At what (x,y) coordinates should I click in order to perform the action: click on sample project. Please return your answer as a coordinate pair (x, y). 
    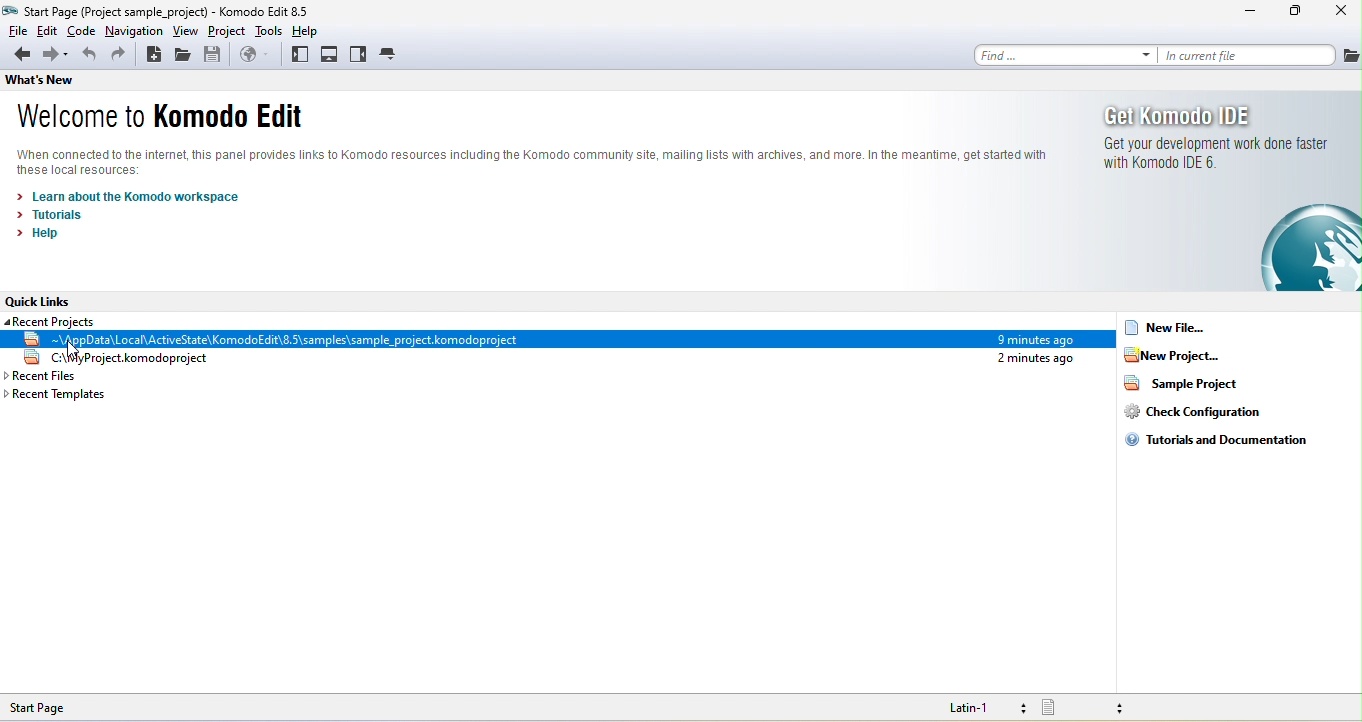
    Looking at the image, I should click on (1201, 389).